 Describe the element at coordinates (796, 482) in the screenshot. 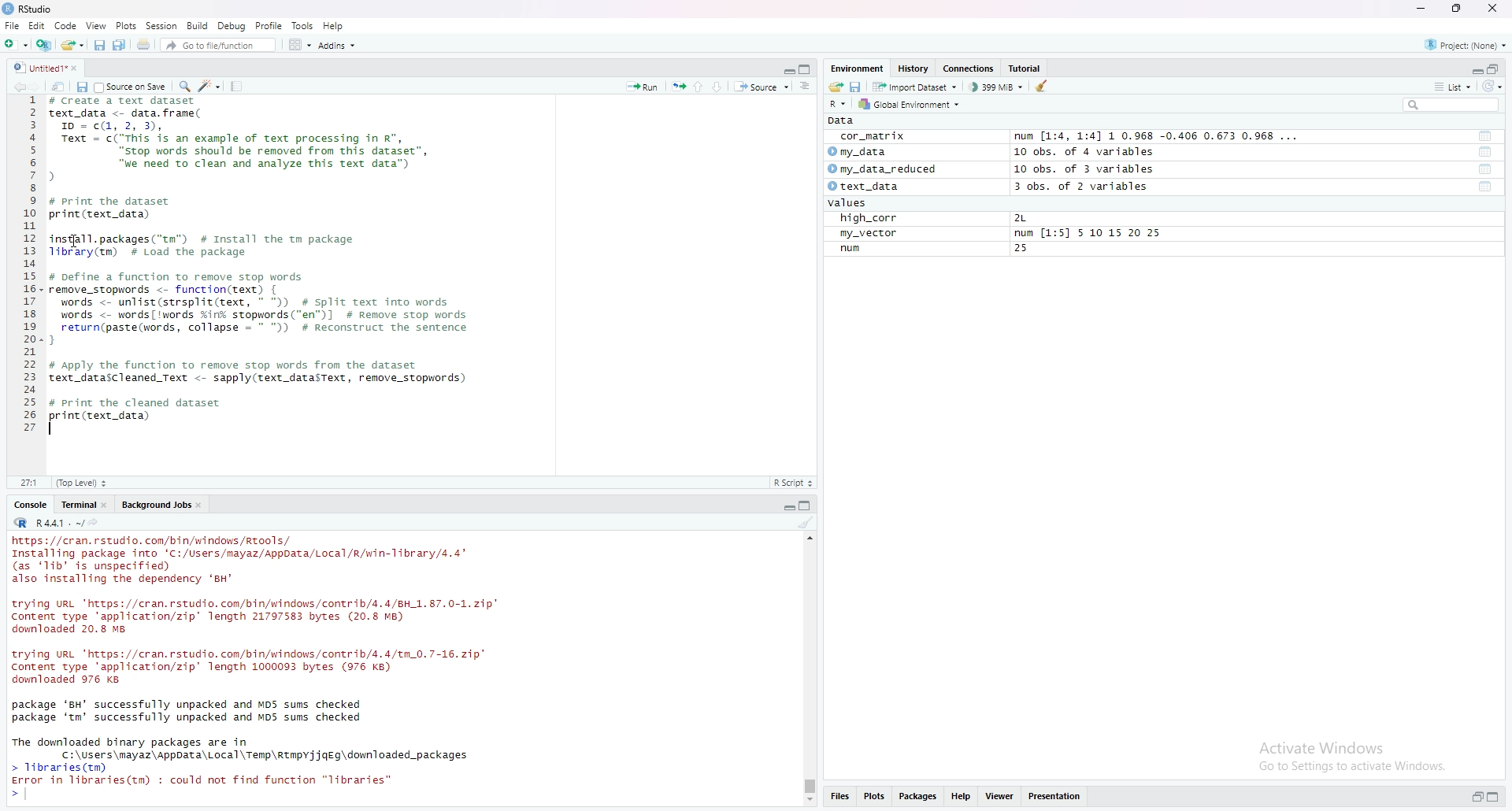

I see `R-script` at that location.